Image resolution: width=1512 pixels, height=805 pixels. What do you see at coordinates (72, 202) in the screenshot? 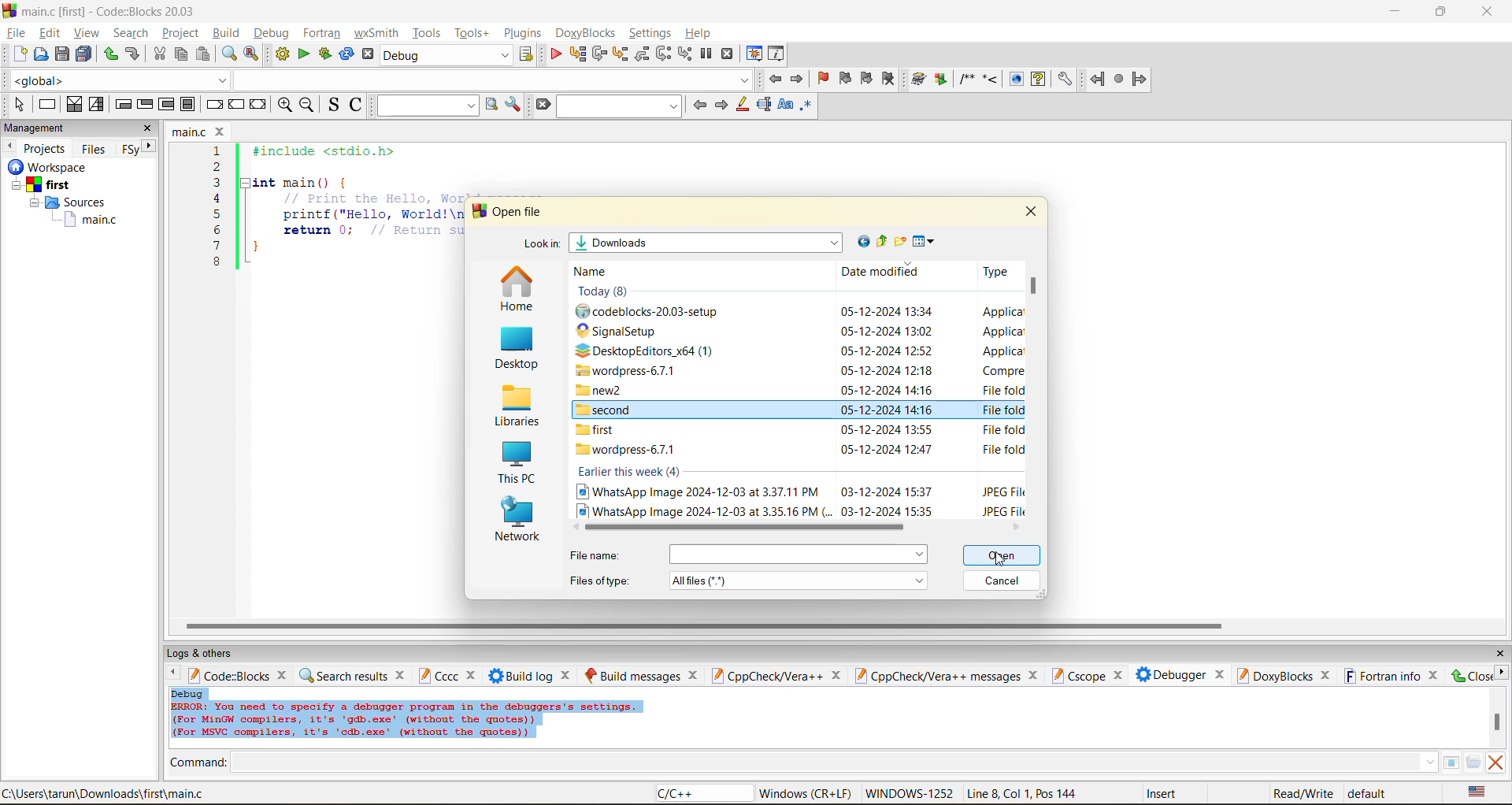
I see `Sources` at bounding box center [72, 202].